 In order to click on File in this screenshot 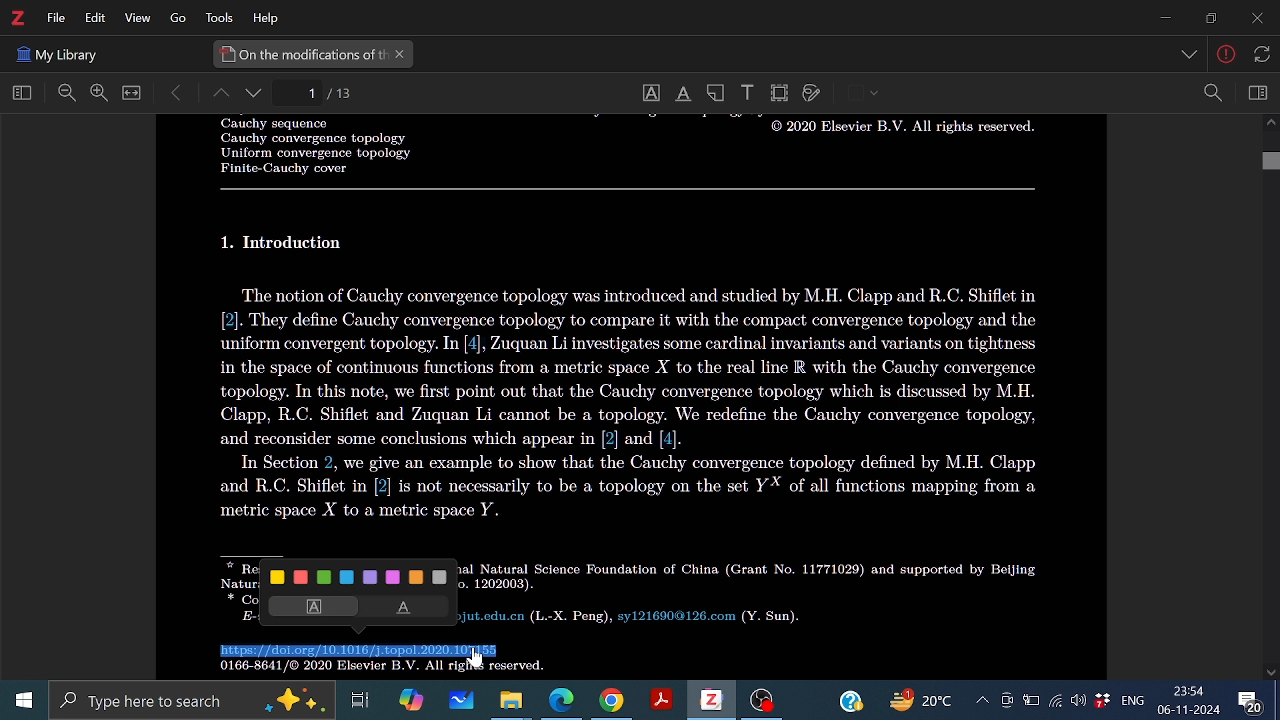, I will do `click(56, 18)`.